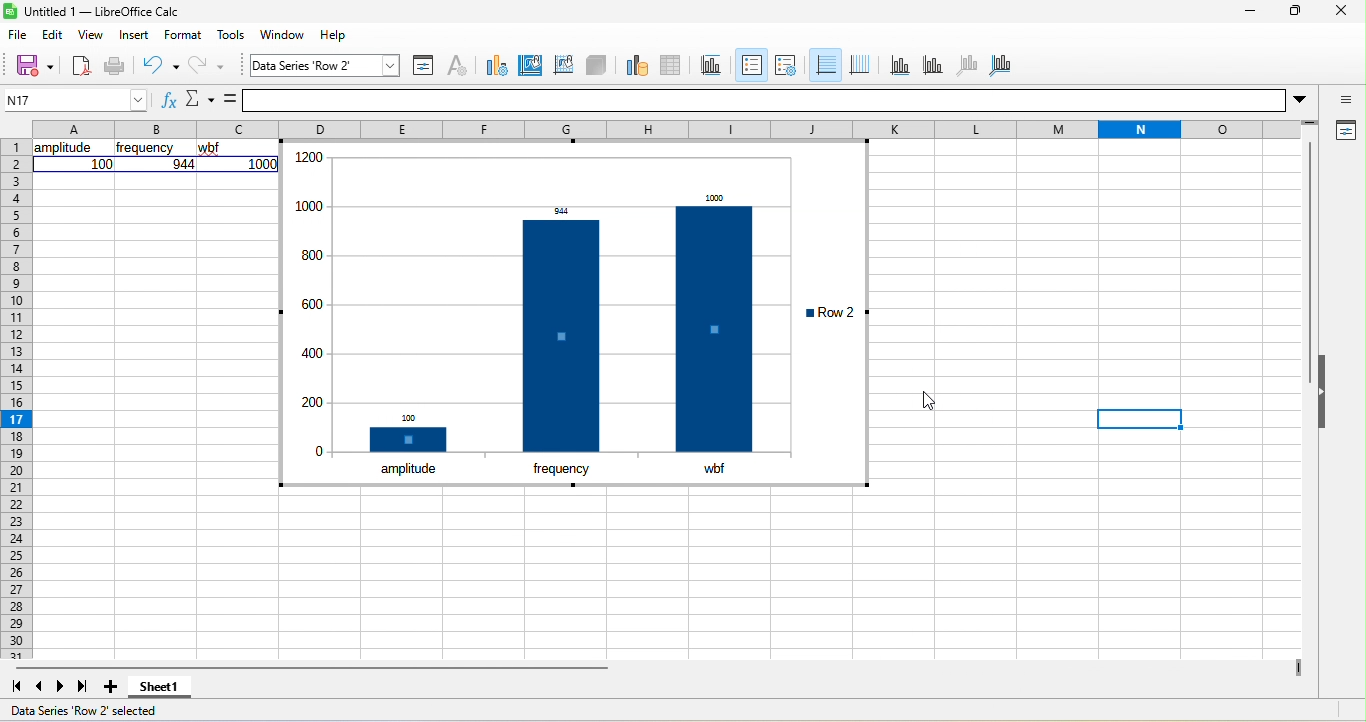  Describe the element at coordinates (1324, 396) in the screenshot. I see `hide` at that location.